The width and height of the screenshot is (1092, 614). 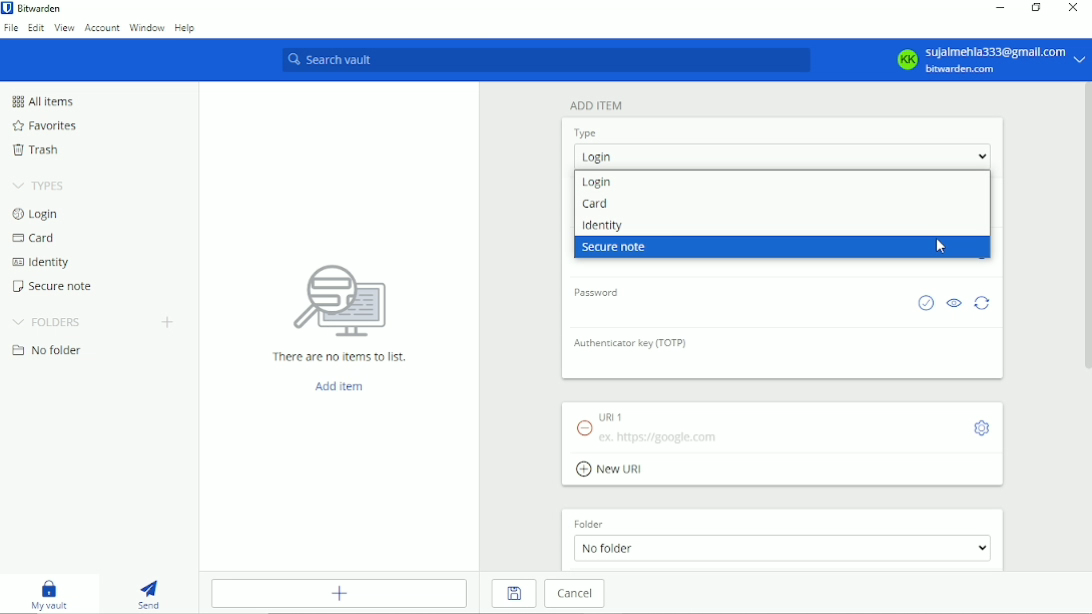 I want to click on Generate password, so click(x=982, y=303).